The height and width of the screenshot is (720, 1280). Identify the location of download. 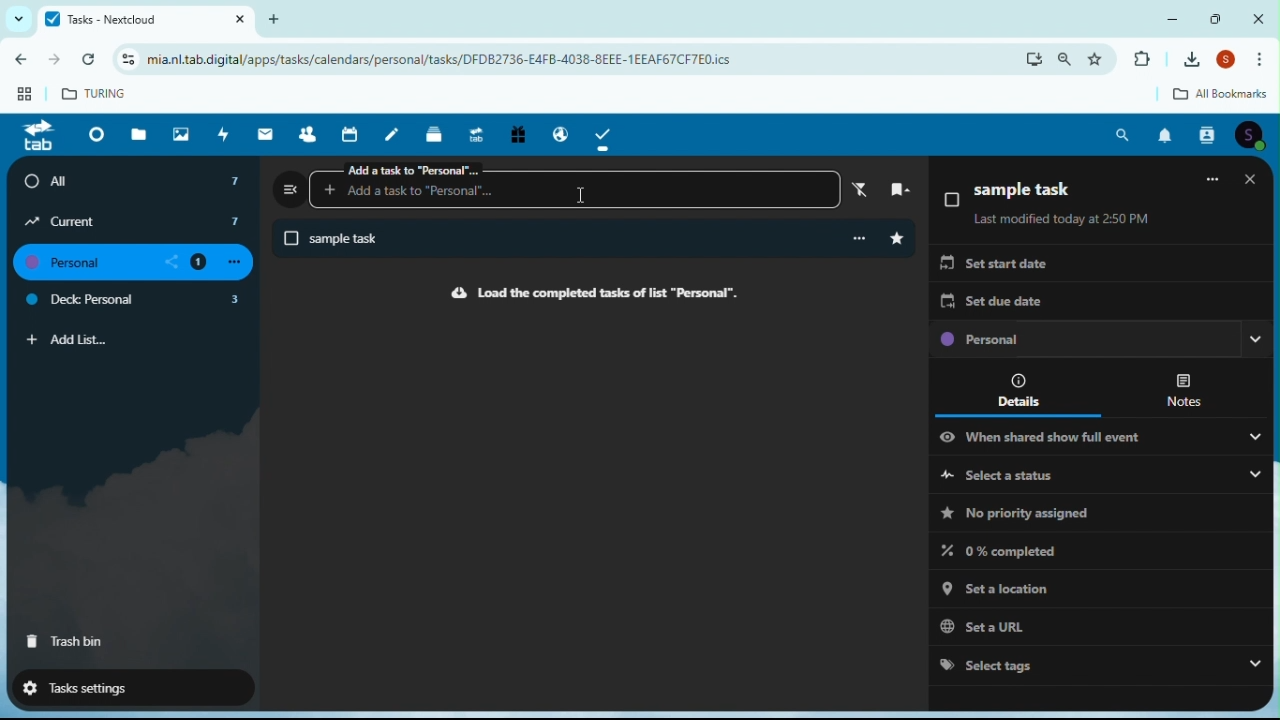
(1034, 59).